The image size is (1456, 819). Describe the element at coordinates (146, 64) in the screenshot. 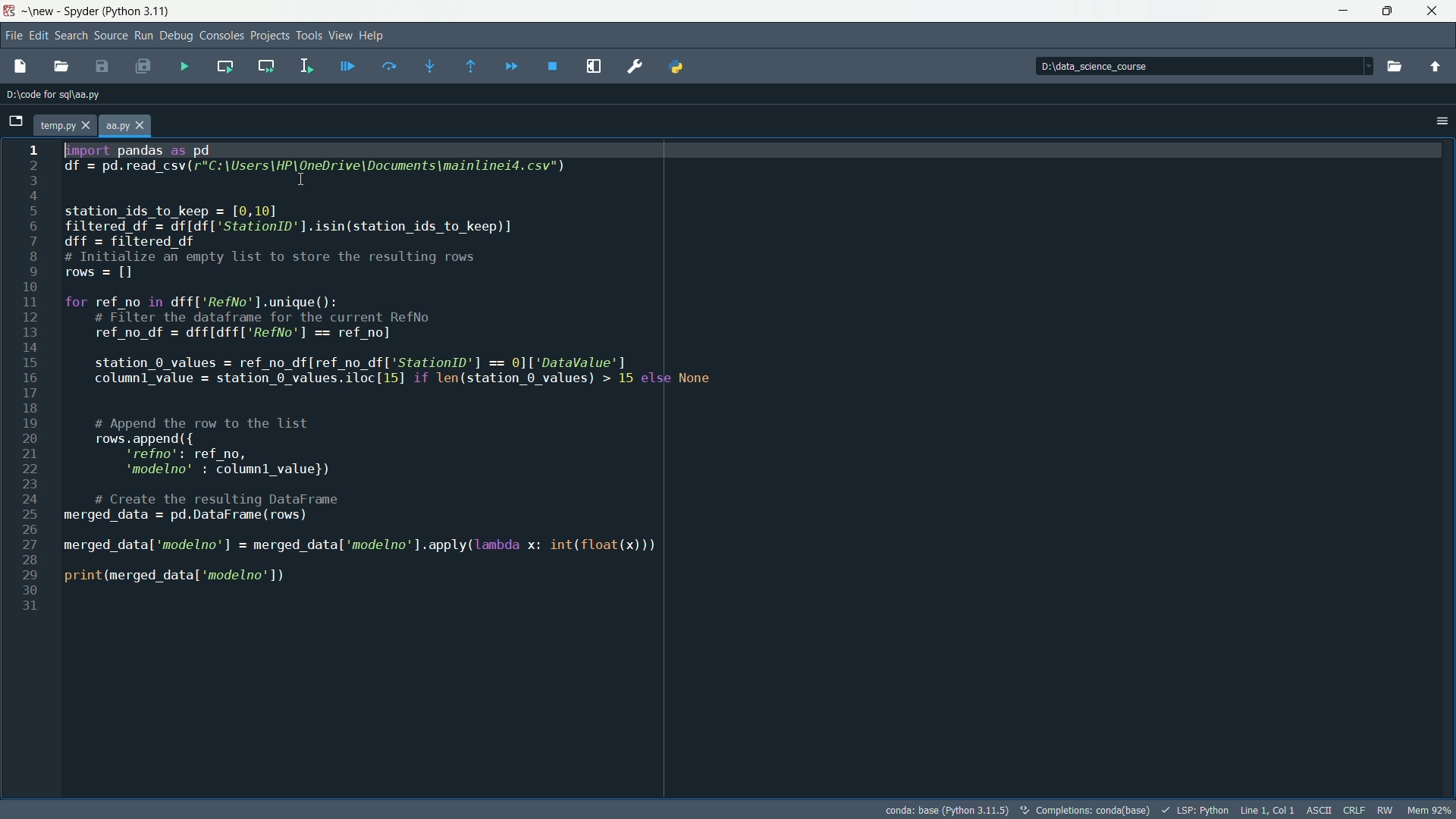

I see `save all files` at that location.